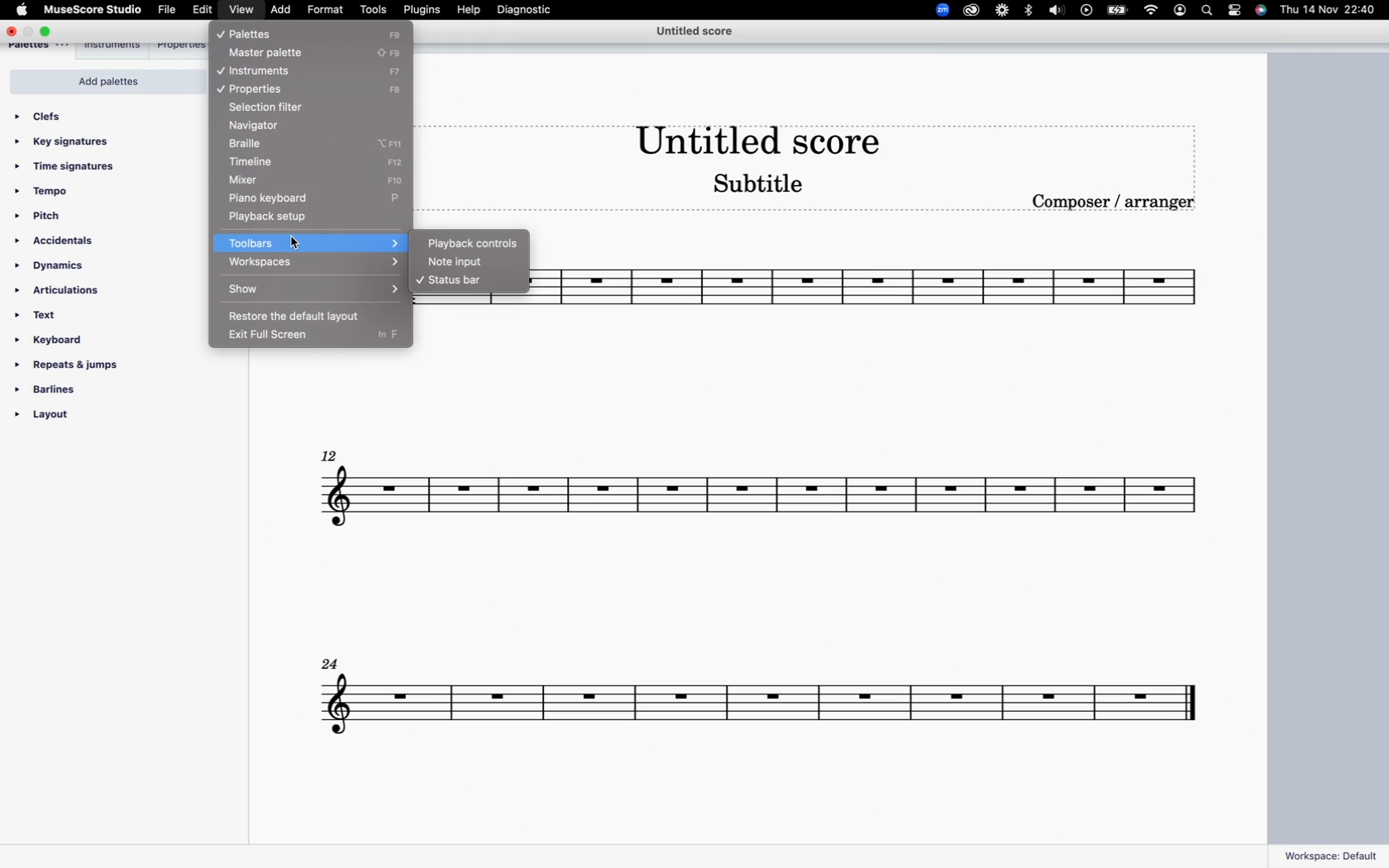  I want to click on playback controls, so click(472, 242).